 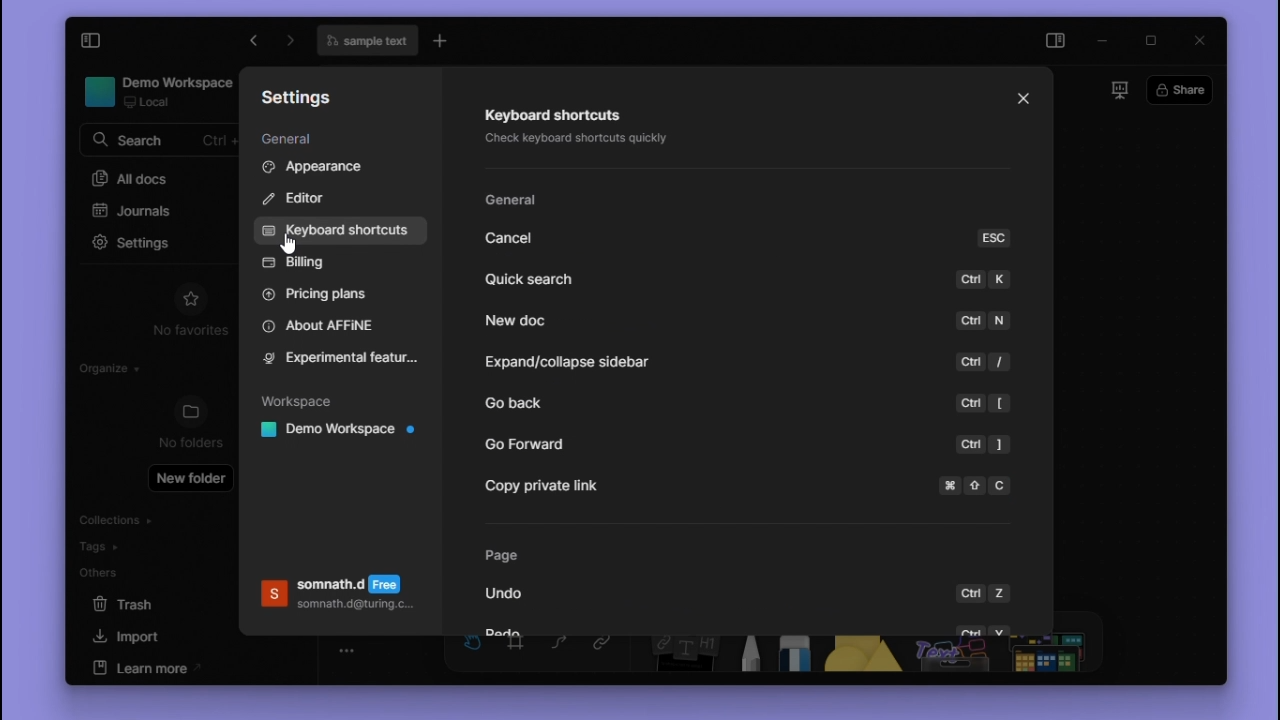 What do you see at coordinates (349, 650) in the screenshot?
I see `toggle zoom tool bar` at bounding box center [349, 650].